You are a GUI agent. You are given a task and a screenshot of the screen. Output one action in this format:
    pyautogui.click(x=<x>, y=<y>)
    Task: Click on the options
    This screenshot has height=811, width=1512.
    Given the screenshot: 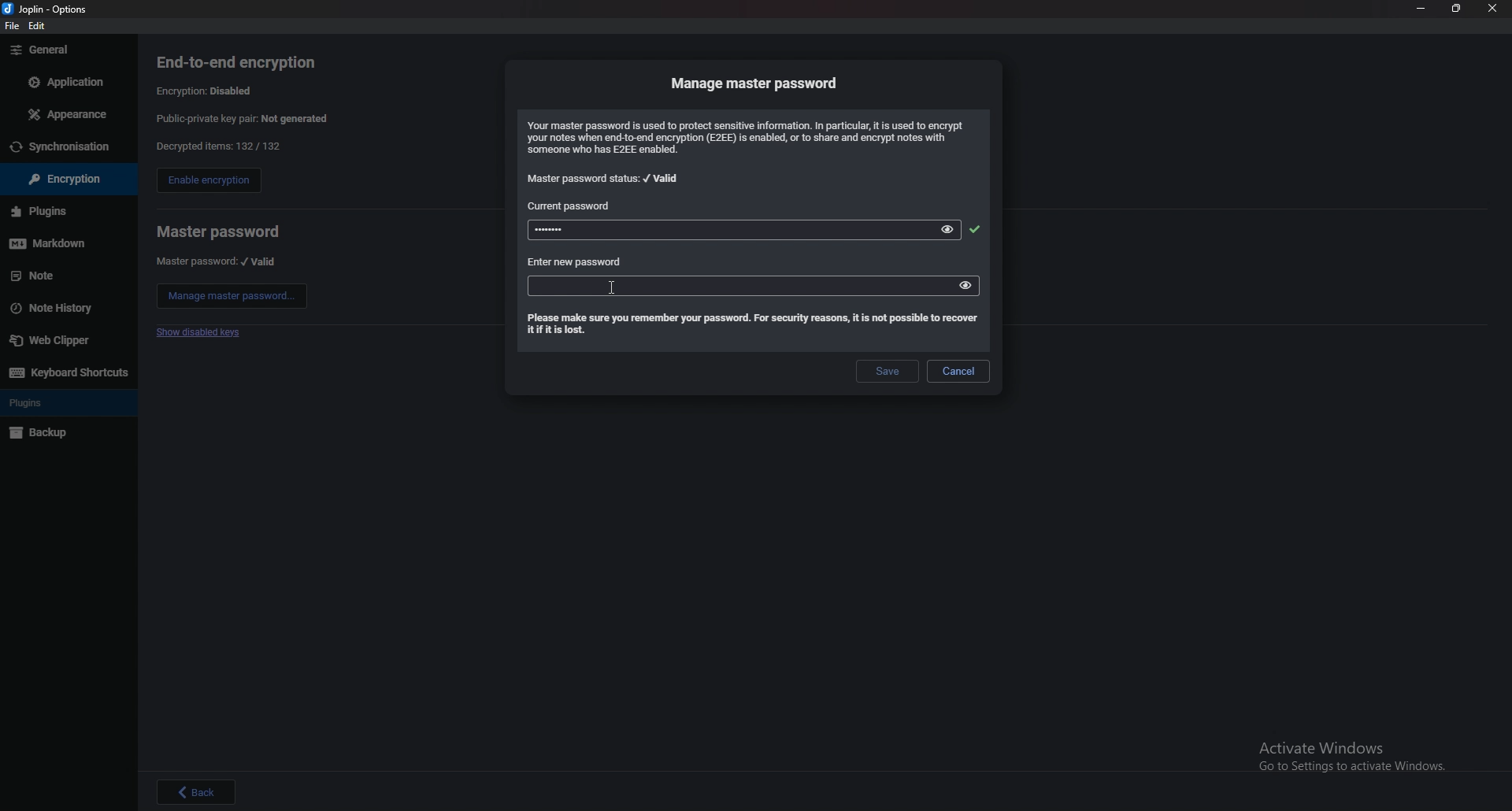 What is the action you would take?
    pyautogui.click(x=49, y=8)
    